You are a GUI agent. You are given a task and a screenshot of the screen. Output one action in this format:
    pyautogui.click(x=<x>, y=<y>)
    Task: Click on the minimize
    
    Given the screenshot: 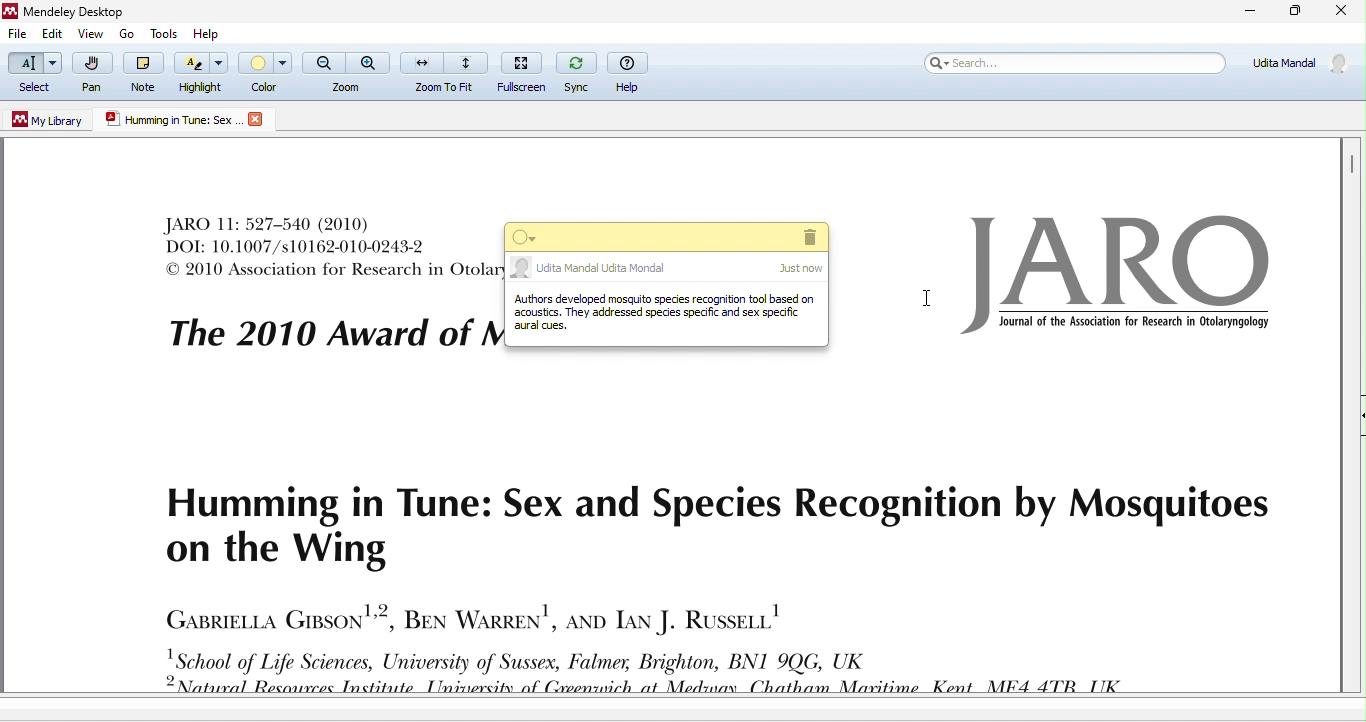 What is the action you would take?
    pyautogui.click(x=1247, y=12)
    